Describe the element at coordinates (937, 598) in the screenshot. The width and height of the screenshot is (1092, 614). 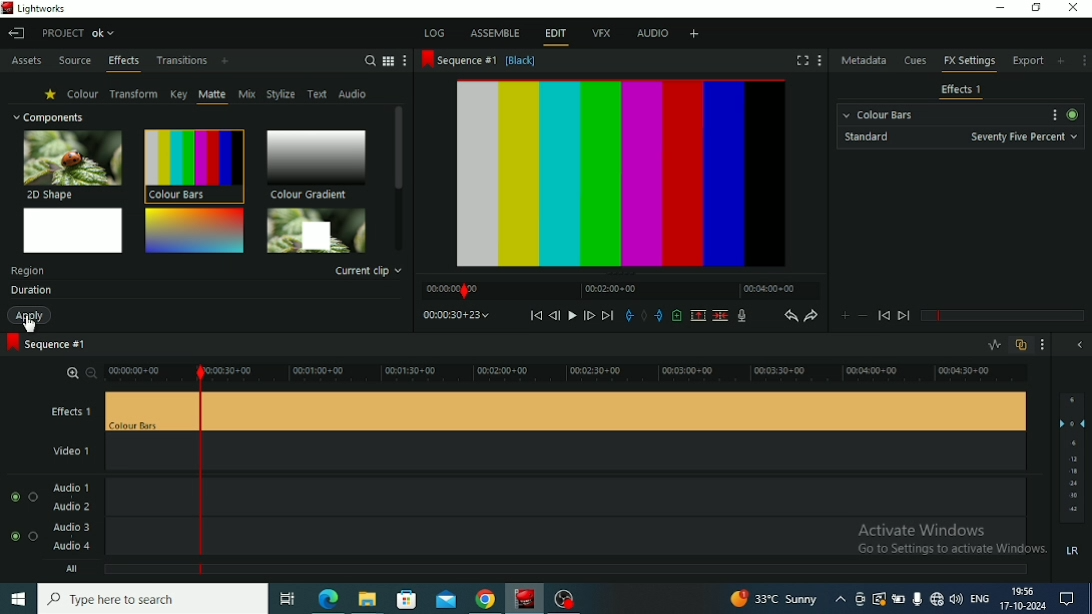
I see `internet` at that location.